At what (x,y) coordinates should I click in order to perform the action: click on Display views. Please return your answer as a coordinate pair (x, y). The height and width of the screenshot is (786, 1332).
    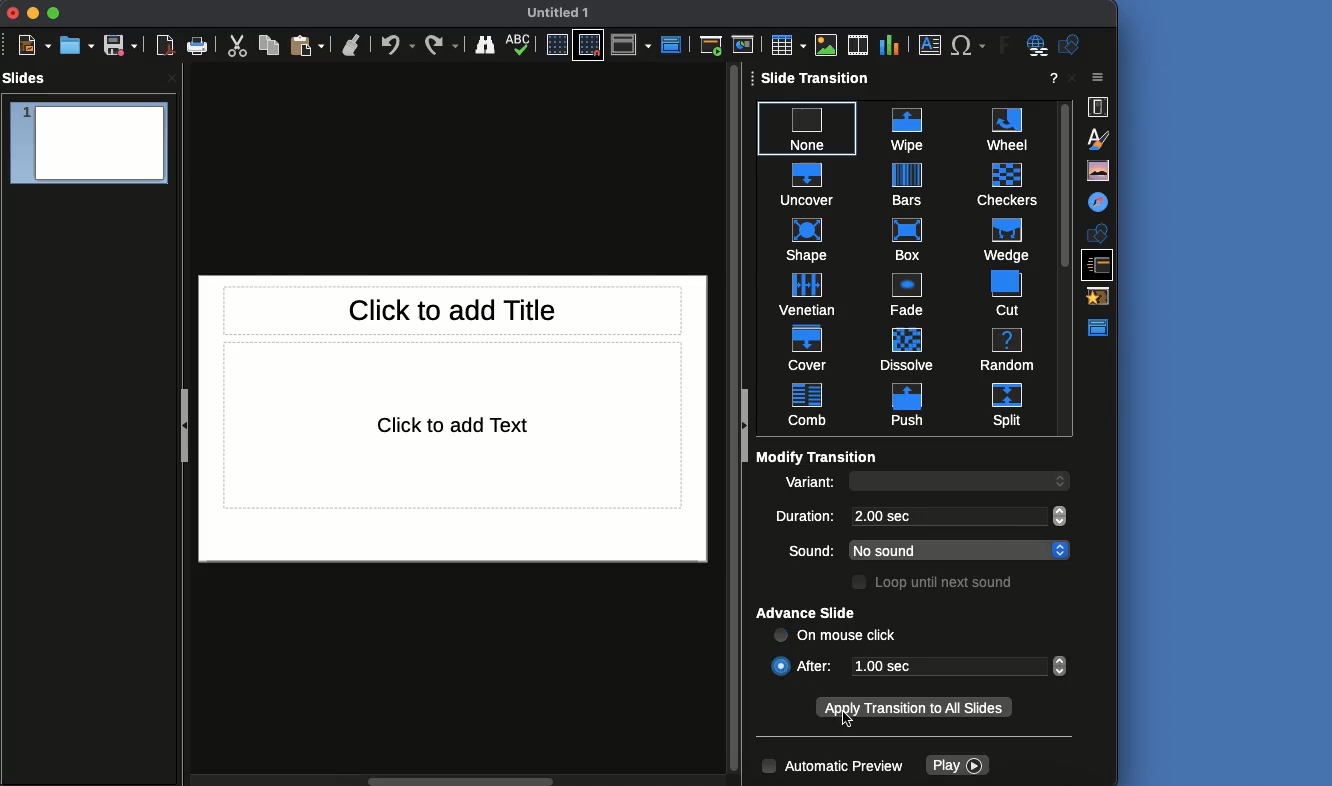
    Looking at the image, I should click on (633, 46).